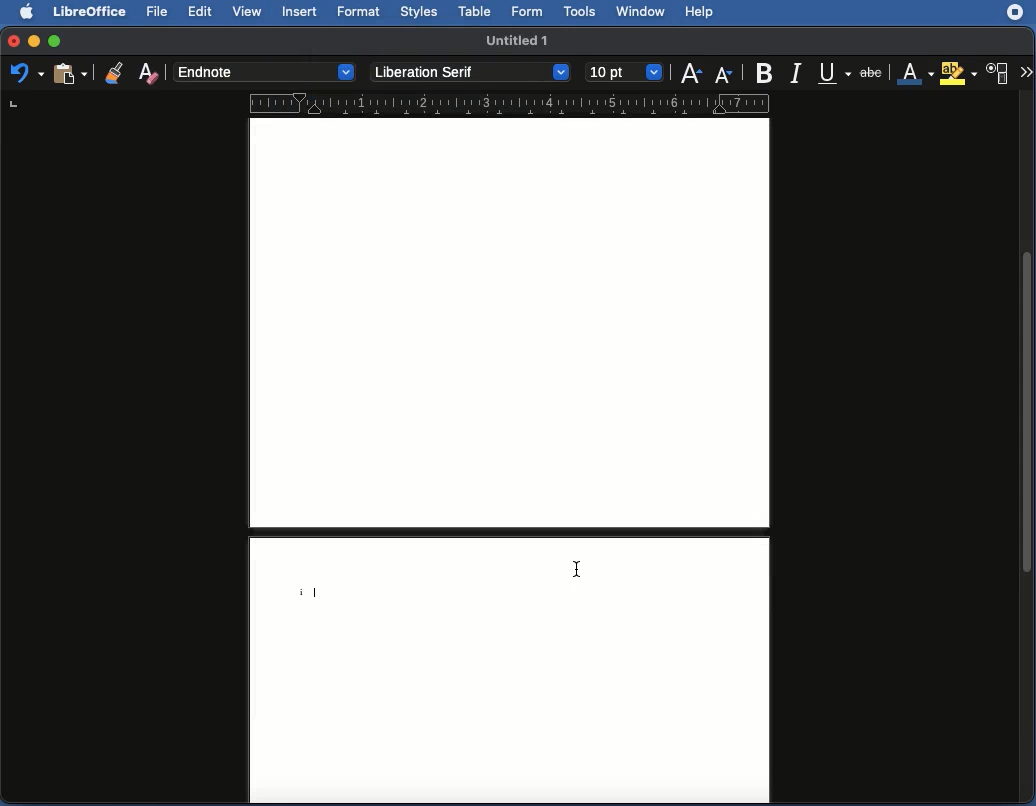 The width and height of the screenshot is (1036, 806). Describe the element at coordinates (642, 12) in the screenshot. I see `Window` at that location.